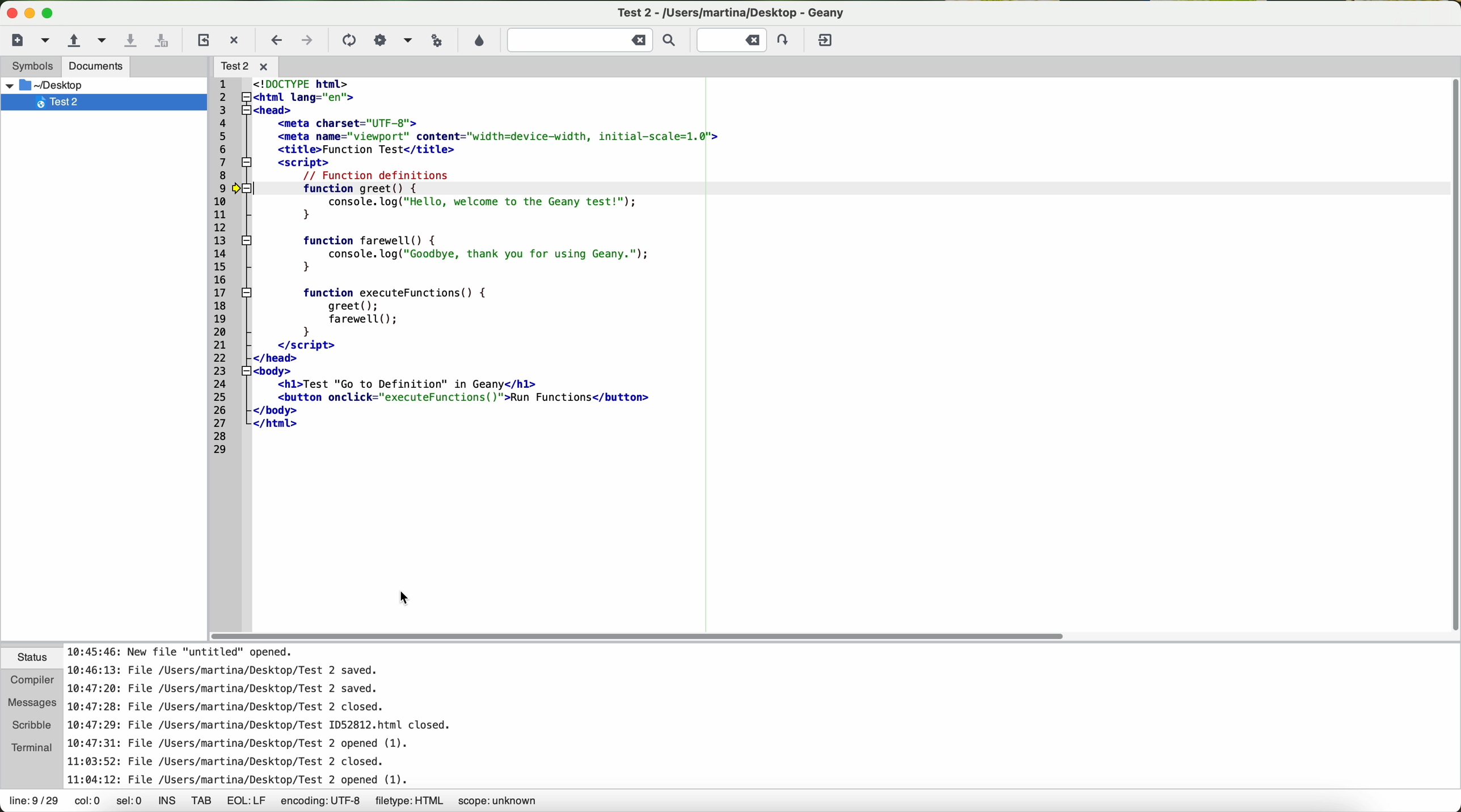  What do you see at coordinates (406, 41) in the screenshot?
I see `icon` at bounding box center [406, 41].